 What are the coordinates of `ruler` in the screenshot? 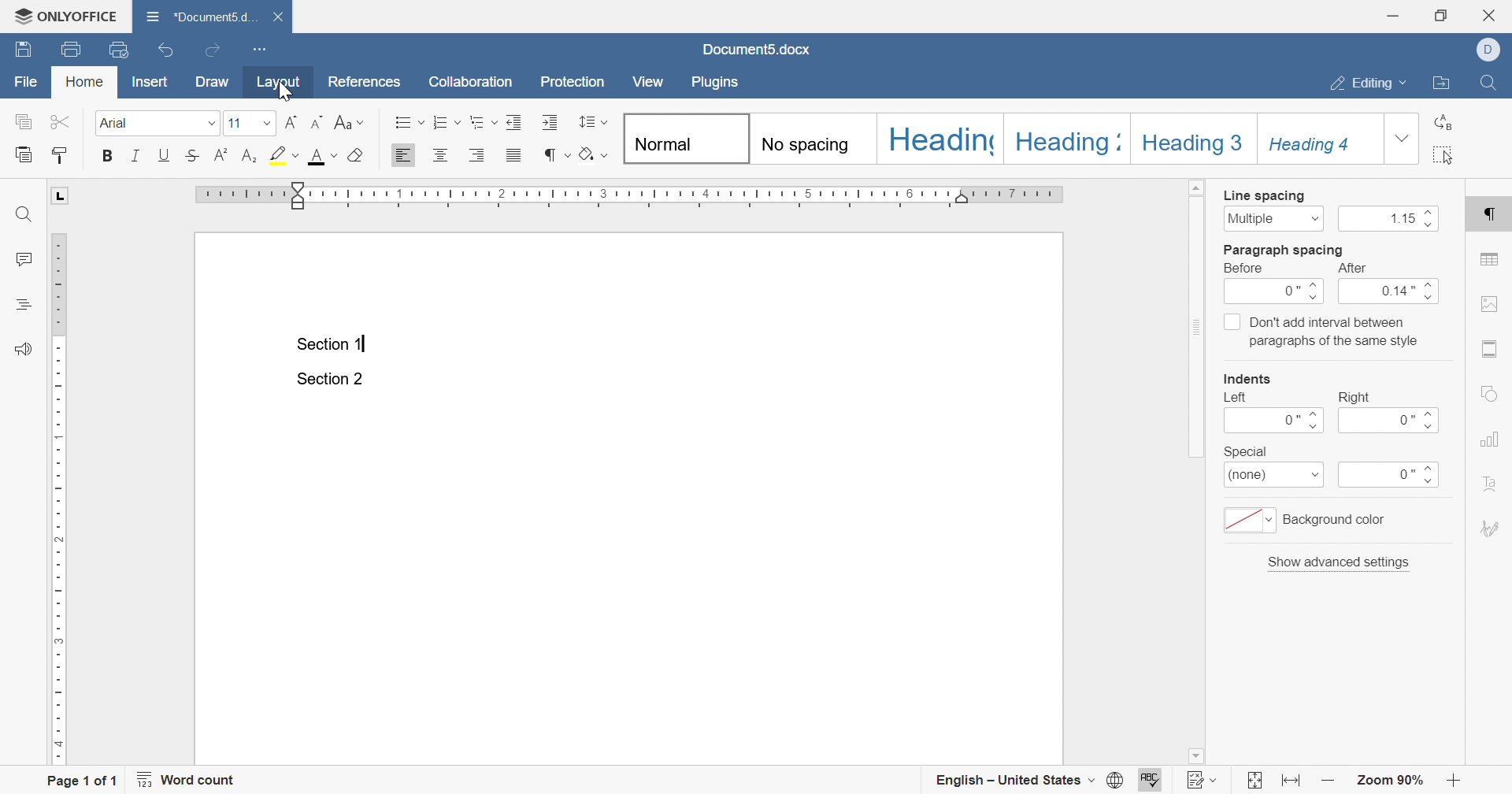 It's located at (631, 196).